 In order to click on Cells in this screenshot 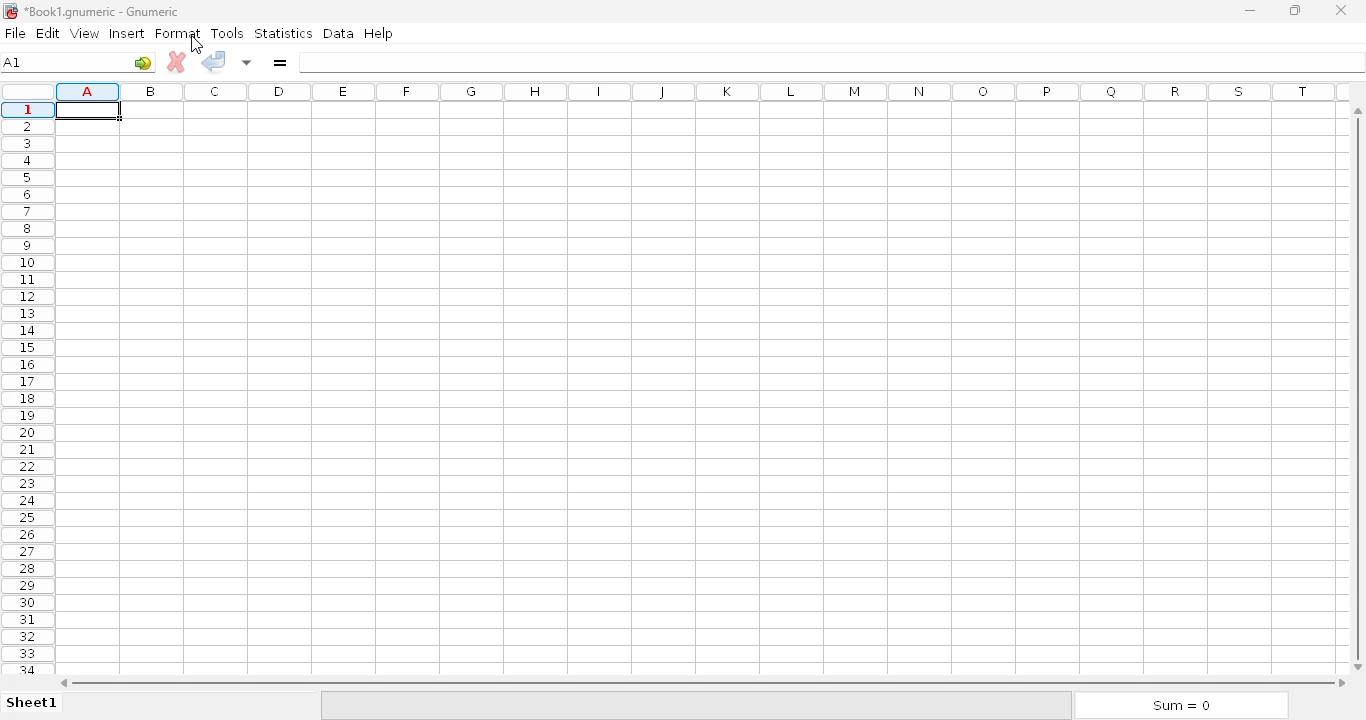, I will do `click(688, 389)`.